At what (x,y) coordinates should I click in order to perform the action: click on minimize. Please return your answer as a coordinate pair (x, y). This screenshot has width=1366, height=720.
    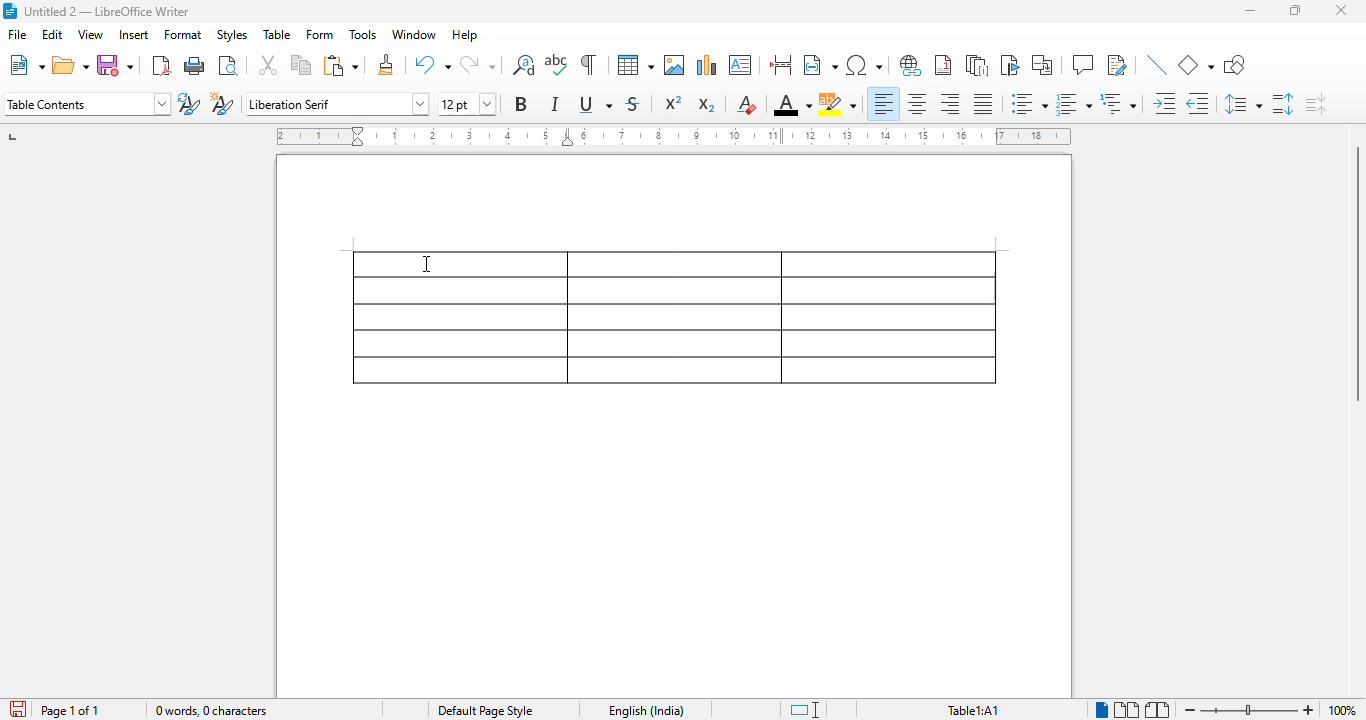
    Looking at the image, I should click on (1250, 10).